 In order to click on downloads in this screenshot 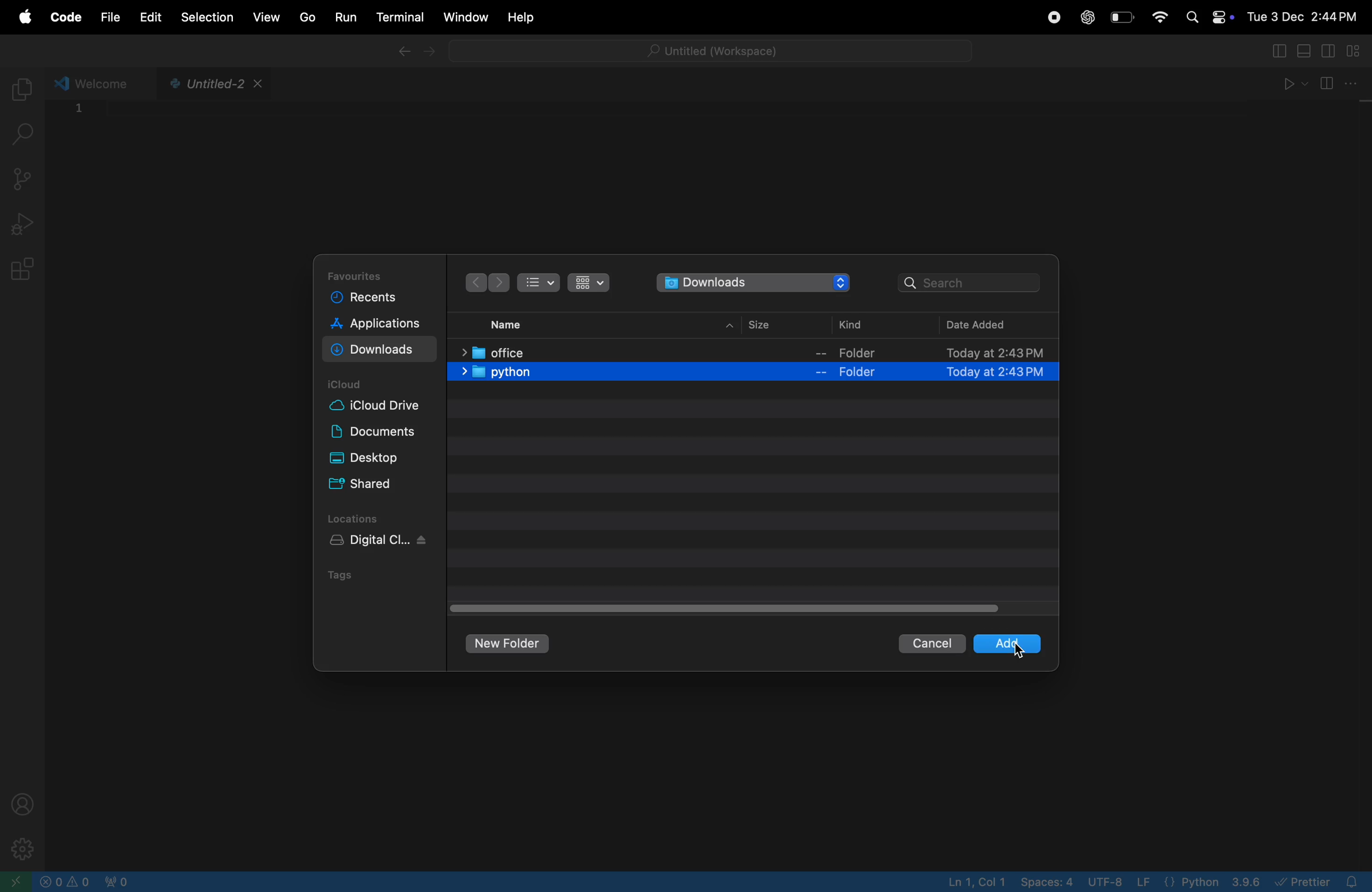, I will do `click(374, 349)`.